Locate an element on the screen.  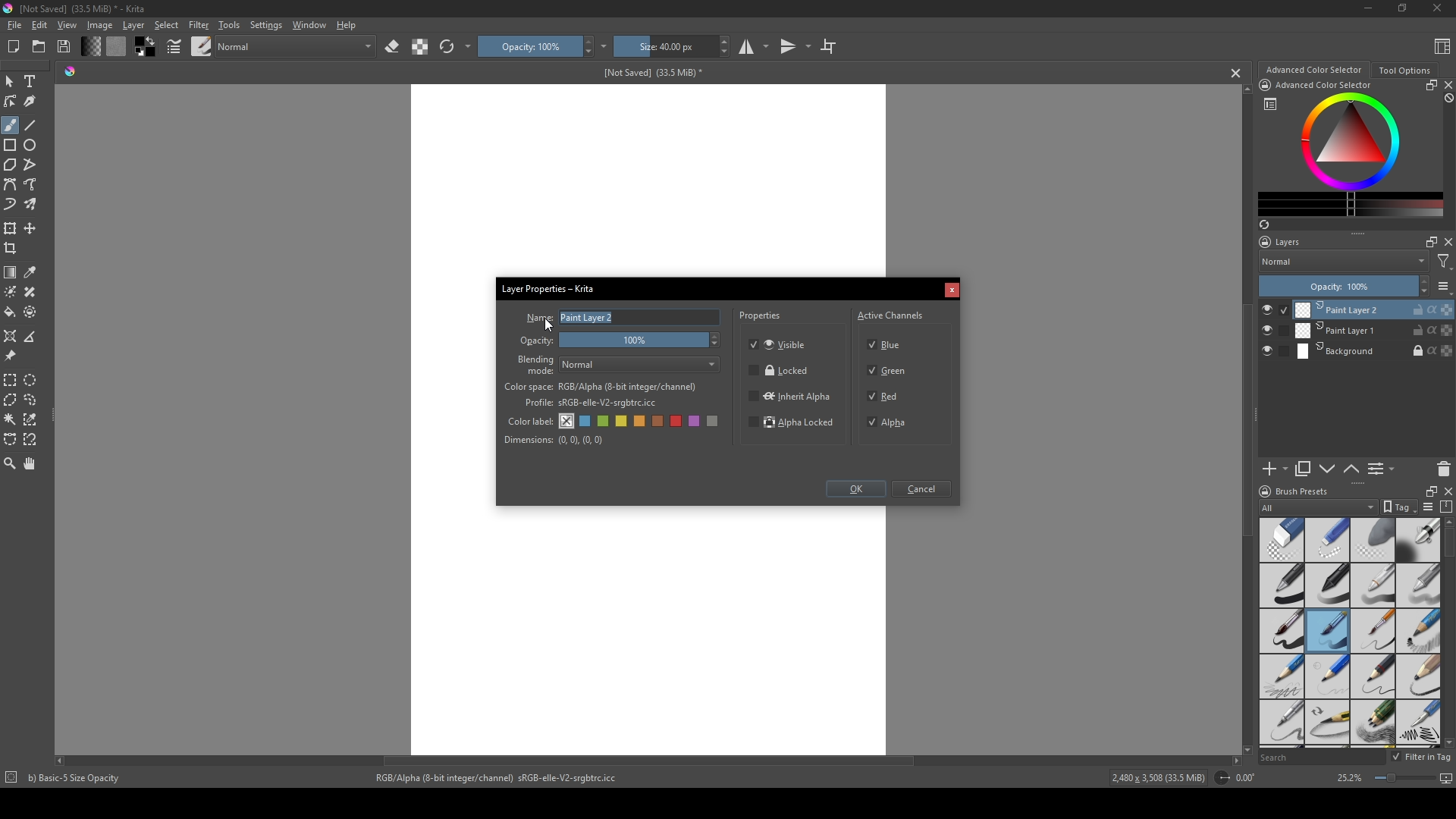
View is located at coordinates (67, 25).